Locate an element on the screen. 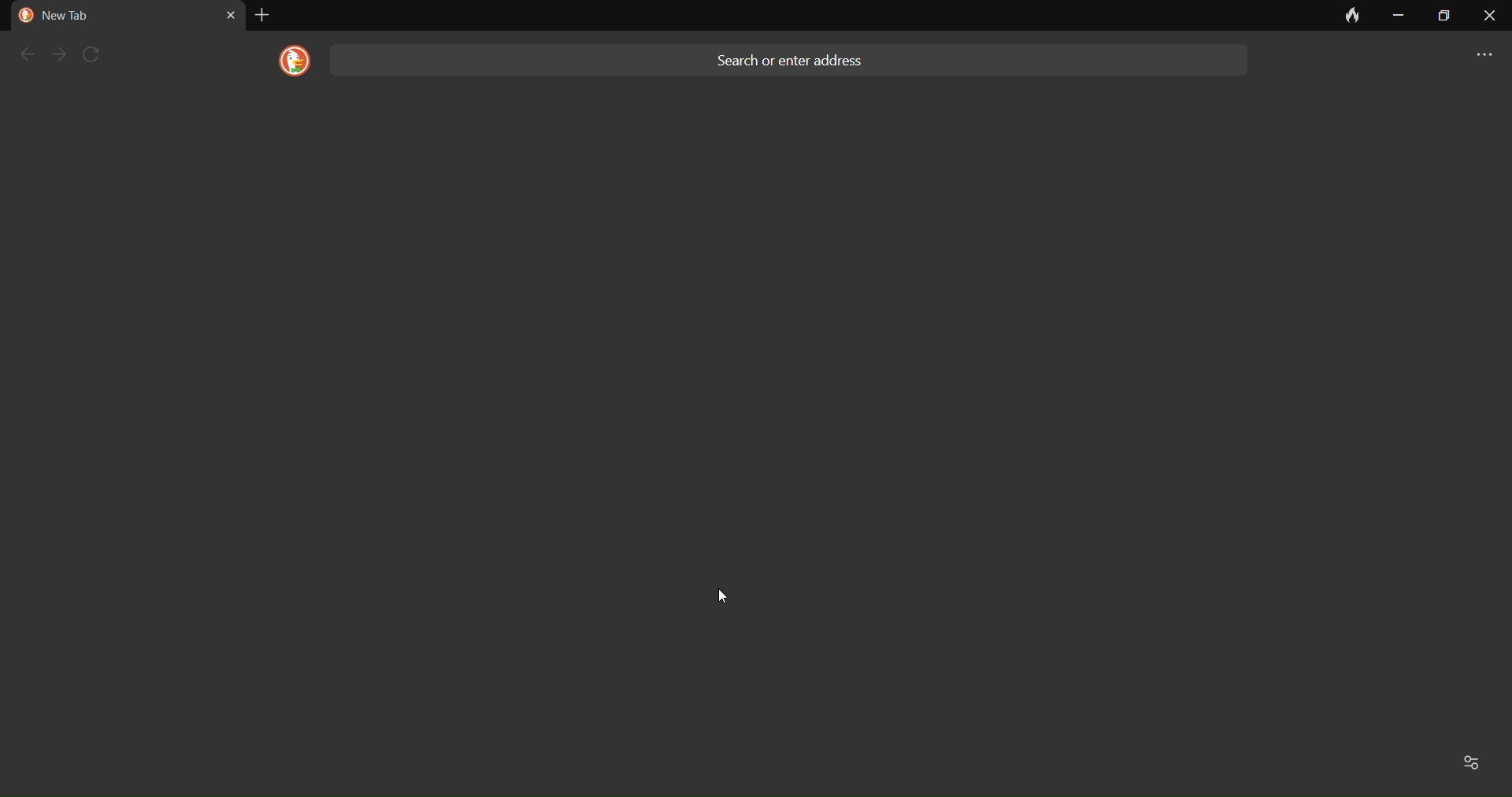 This screenshot has height=797, width=1512. clear data is located at coordinates (1345, 20).